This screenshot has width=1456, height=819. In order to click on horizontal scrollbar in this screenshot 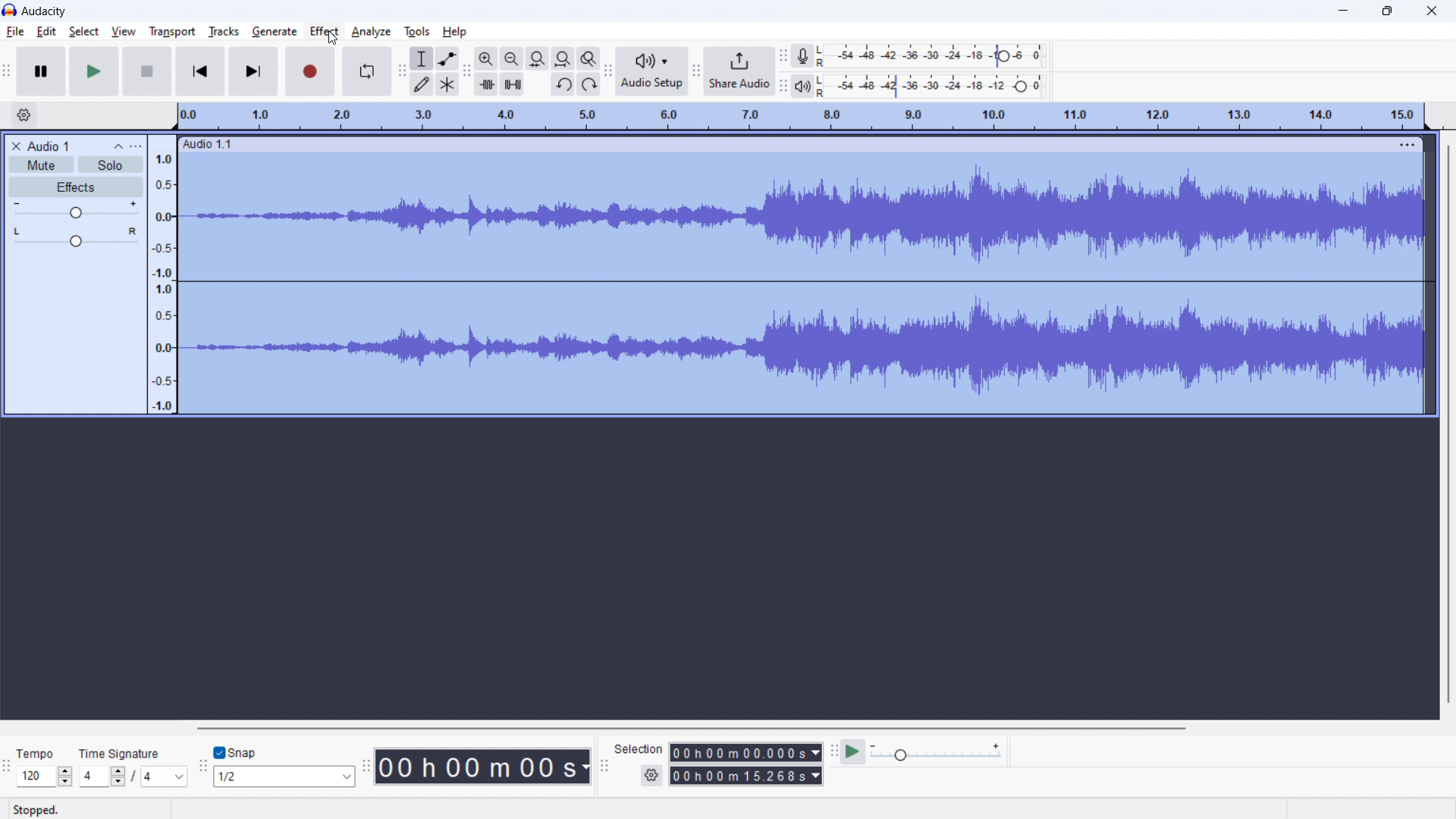, I will do `click(689, 728)`.